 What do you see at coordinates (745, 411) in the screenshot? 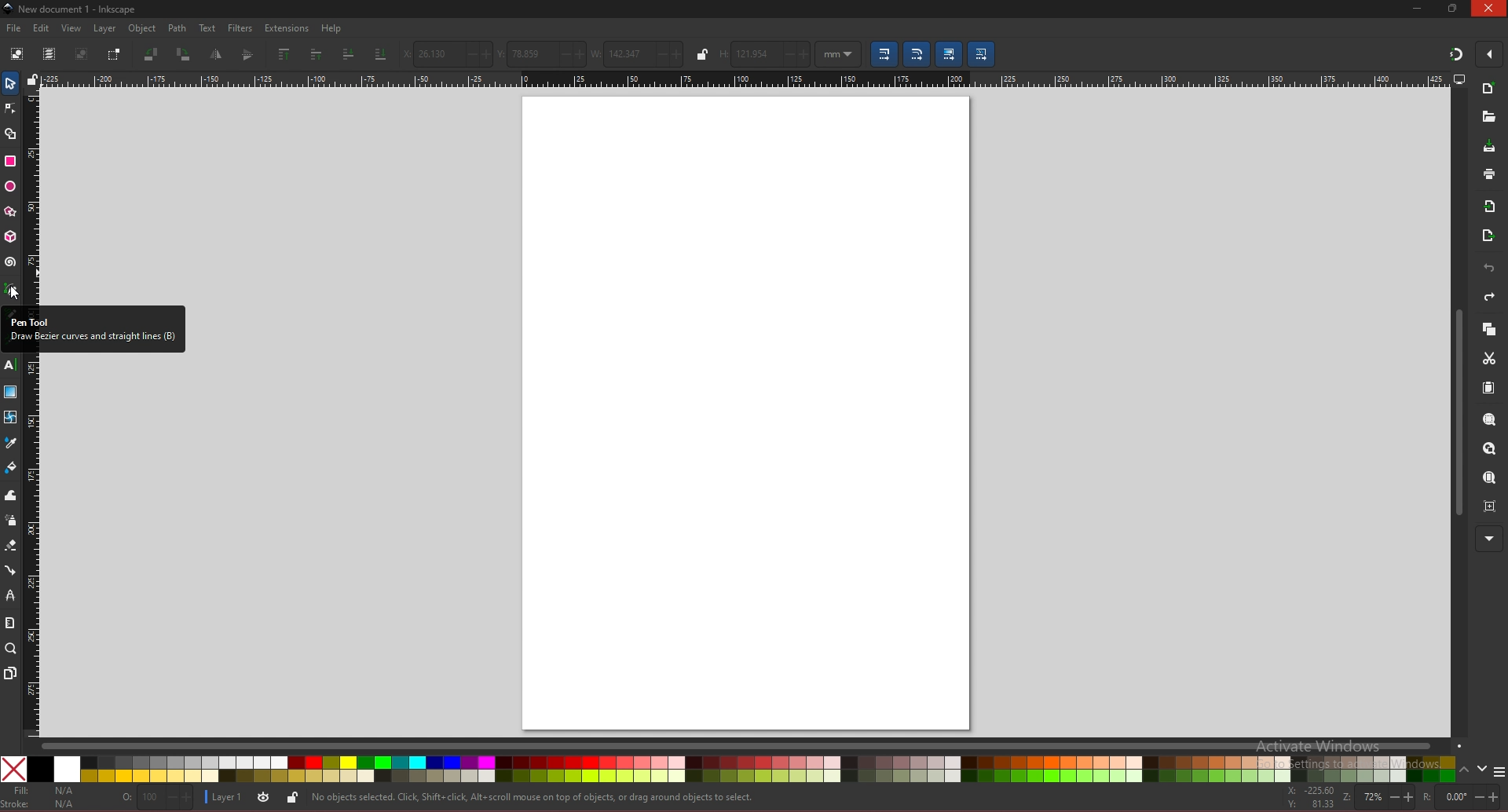
I see `page` at bounding box center [745, 411].